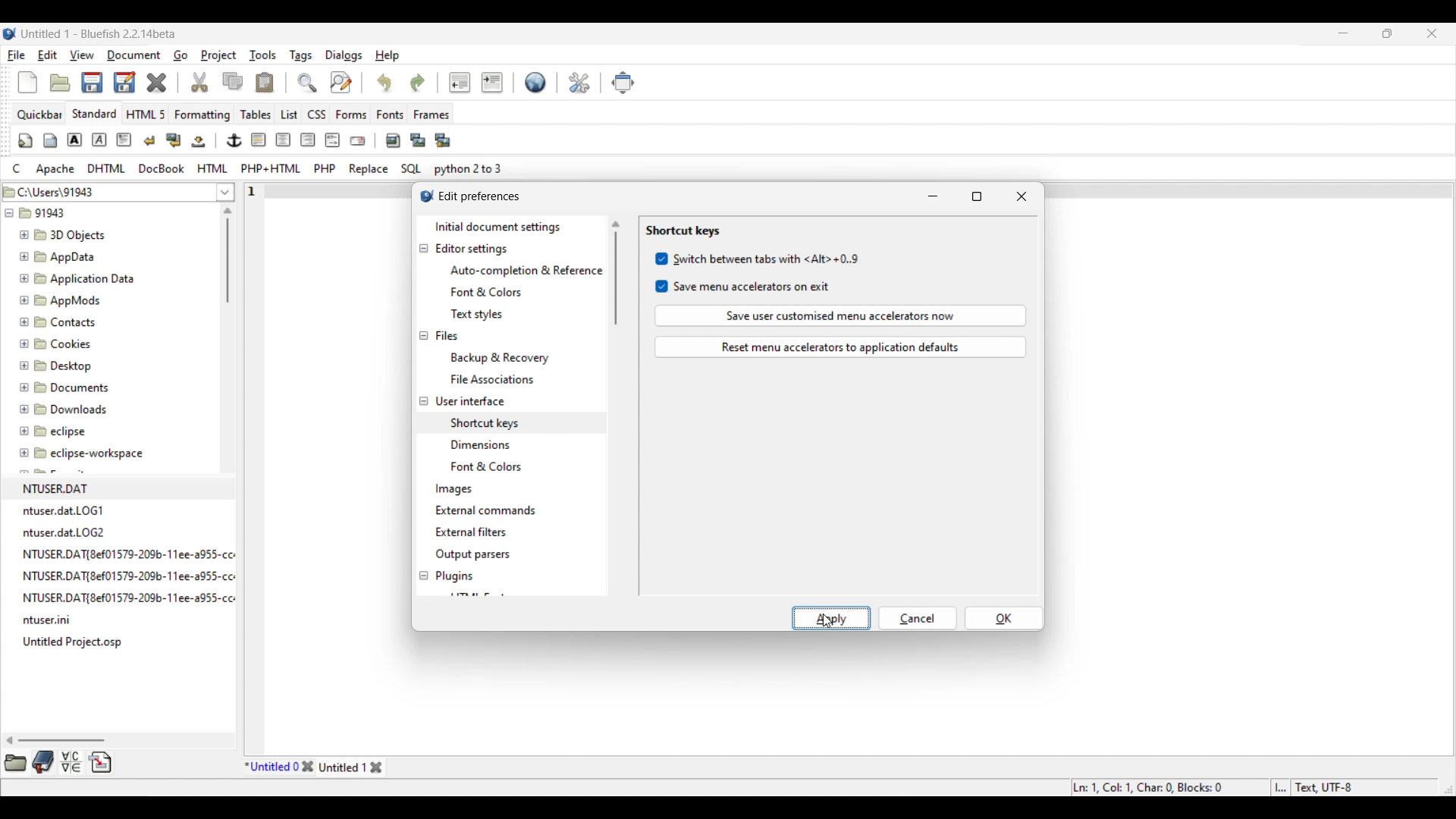 This screenshot has width=1456, height=819. I want to click on External commands, so click(485, 510).